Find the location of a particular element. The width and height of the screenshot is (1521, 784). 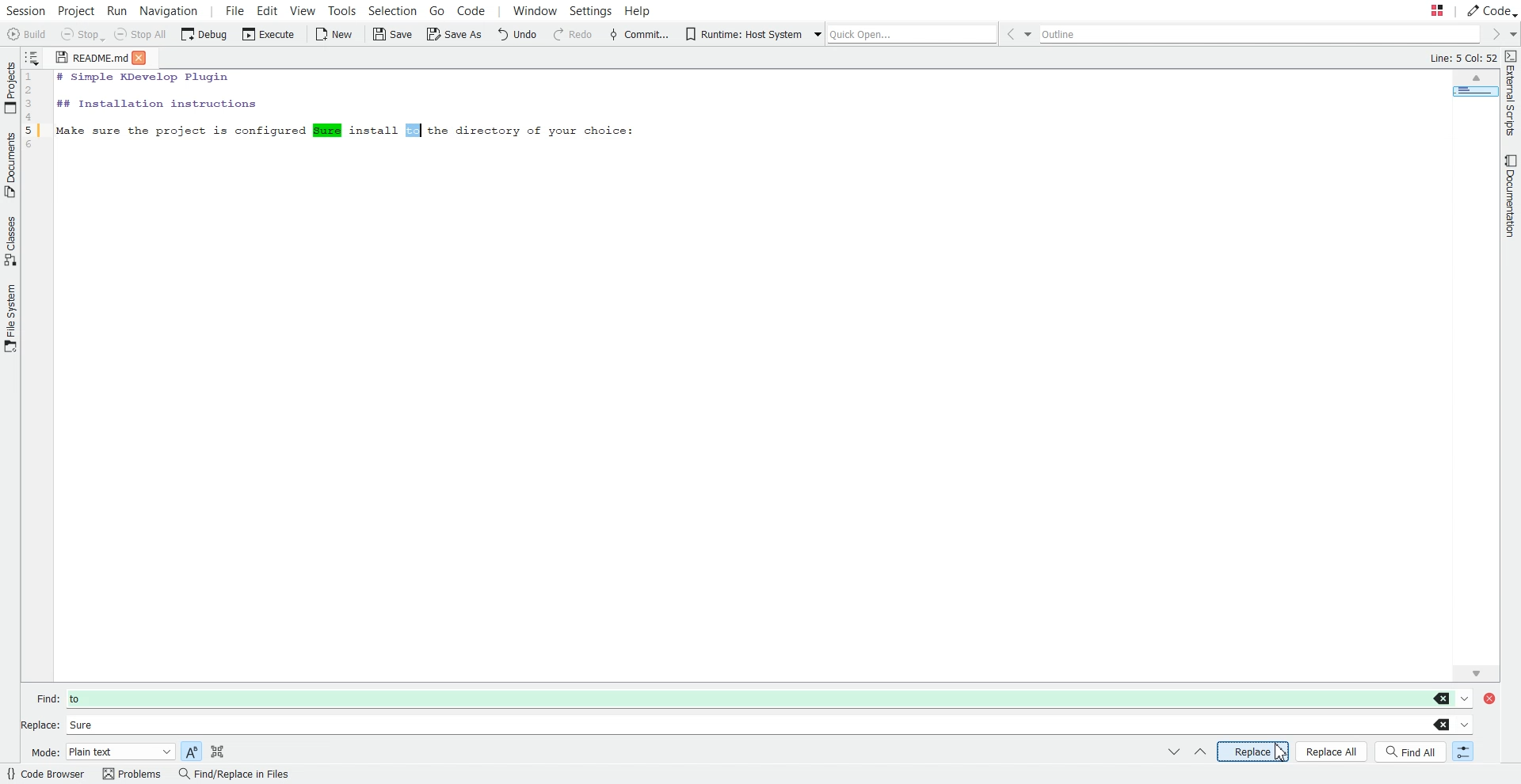

Replace All is located at coordinates (1332, 752).